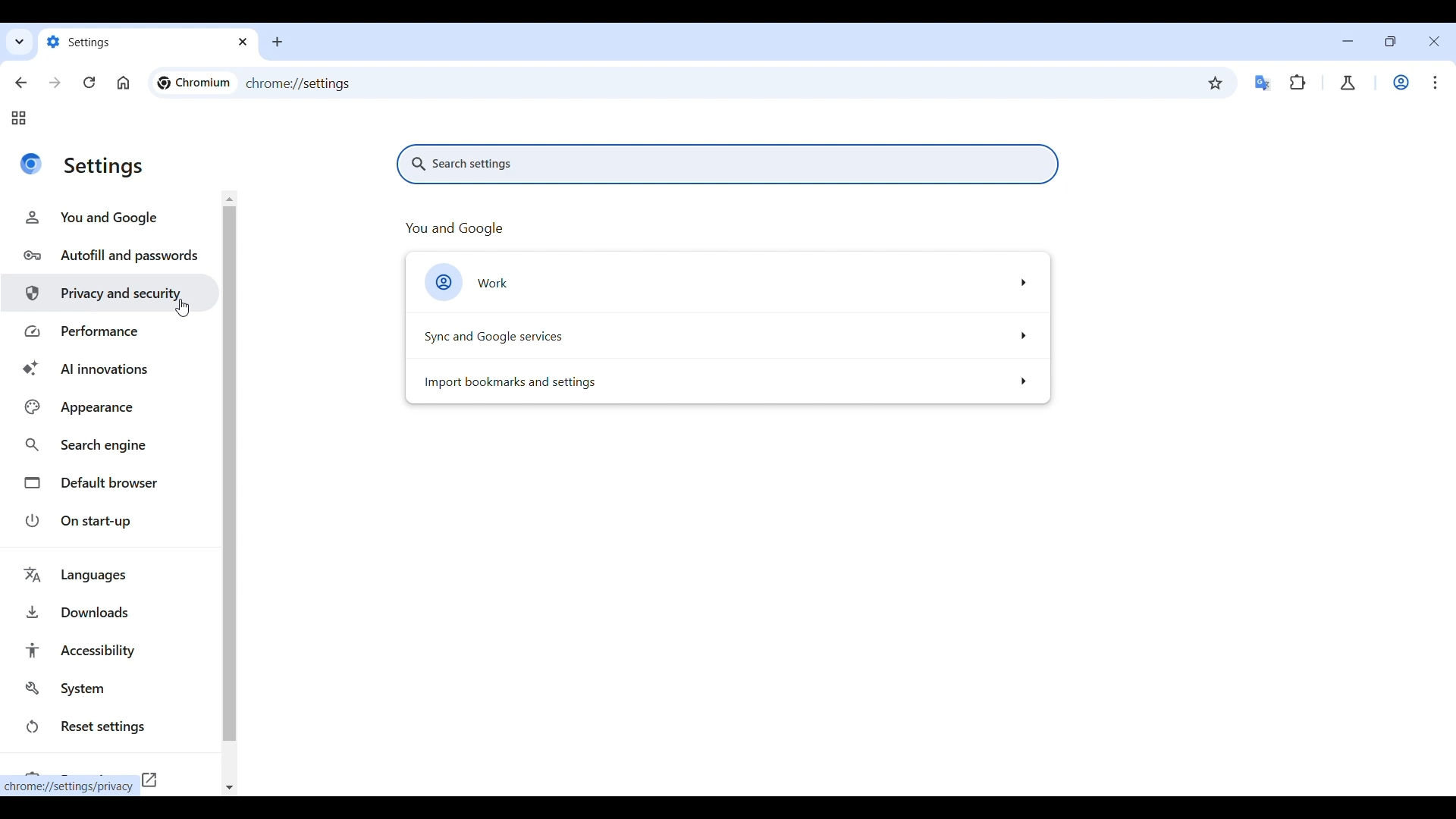 This screenshot has height=819, width=1456. I want to click on Appearance, so click(108, 407).